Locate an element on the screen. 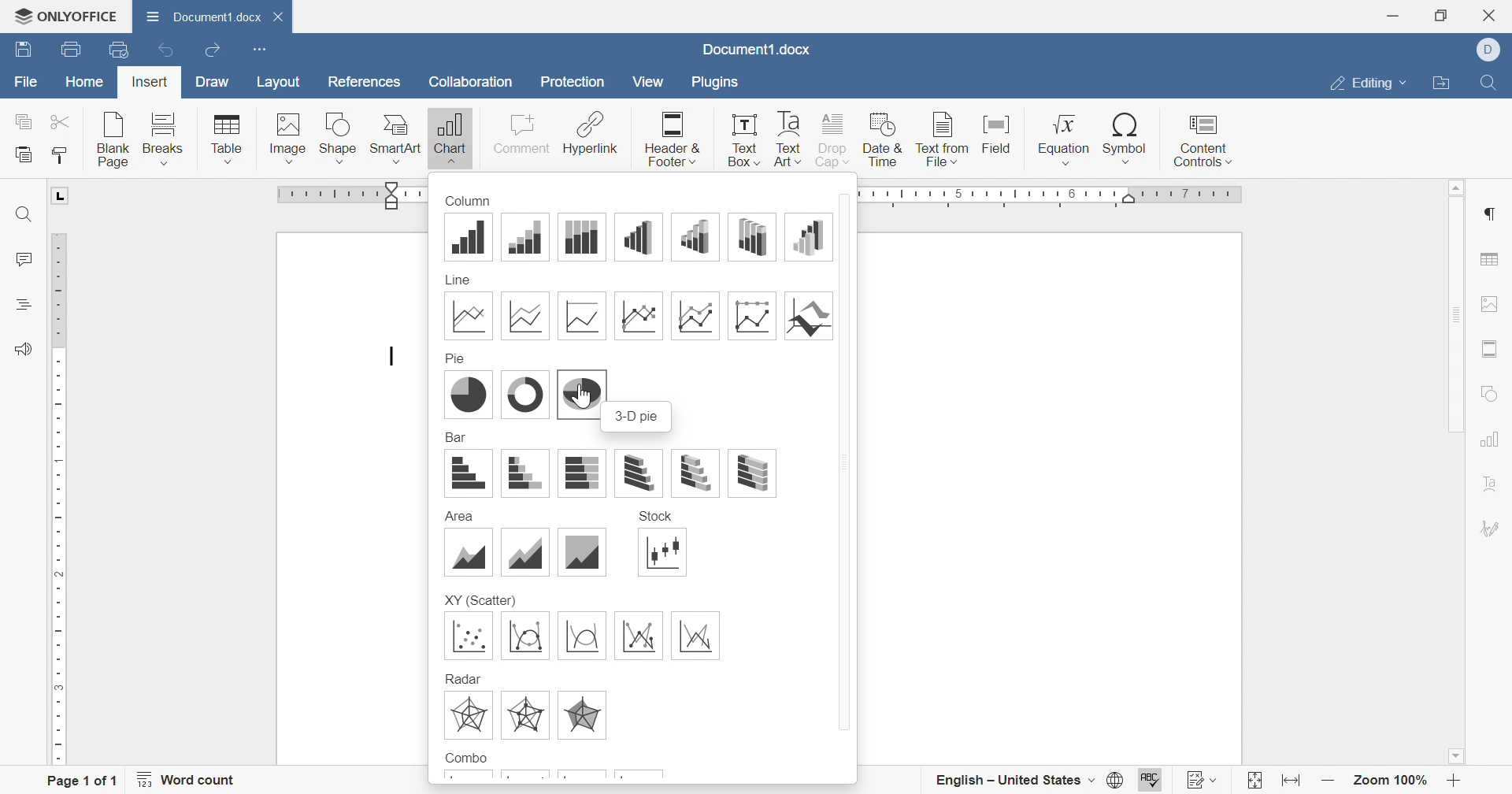 The width and height of the screenshot is (1512, 794). Bar is located at coordinates (457, 437).